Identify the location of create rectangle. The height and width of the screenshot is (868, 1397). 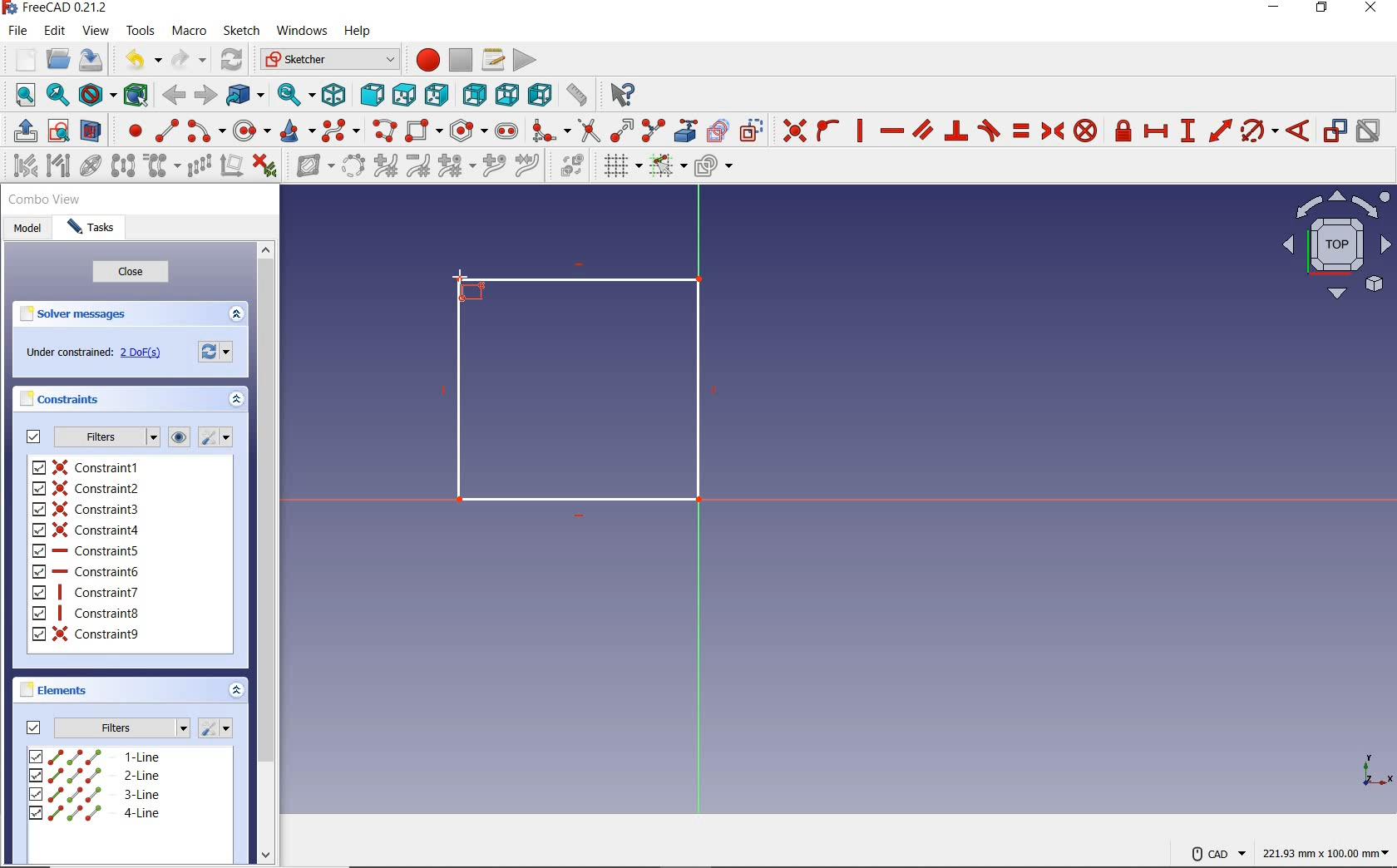
(424, 130).